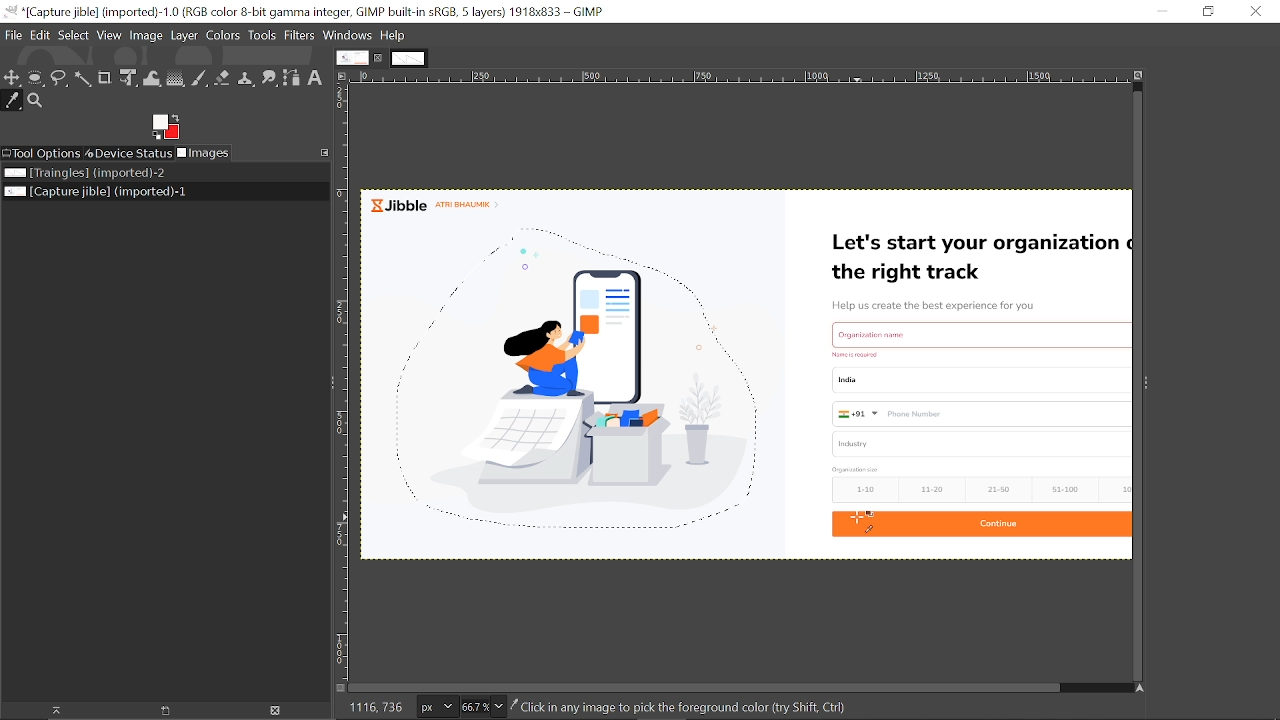 Image resolution: width=1280 pixels, height=720 pixels. What do you see at coordinates (13, 102) in the screenshot?
I see `Color picker tool` at bounding box center [13, 102].